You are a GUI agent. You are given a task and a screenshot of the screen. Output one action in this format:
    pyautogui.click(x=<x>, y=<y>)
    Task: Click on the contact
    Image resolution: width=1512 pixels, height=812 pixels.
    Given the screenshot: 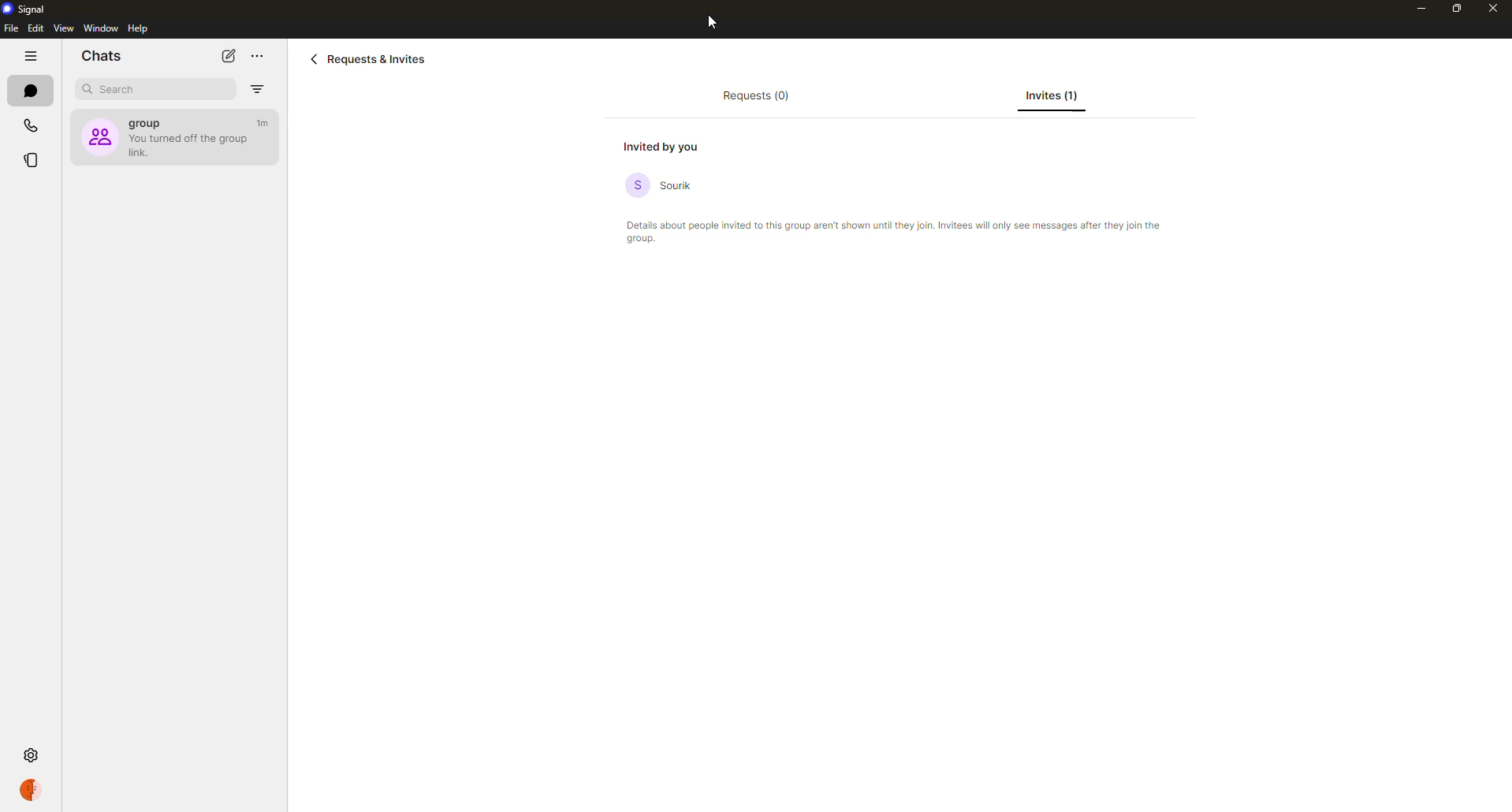 What is the action you would take?
    pyautogui.click(x=666, y=185)
    